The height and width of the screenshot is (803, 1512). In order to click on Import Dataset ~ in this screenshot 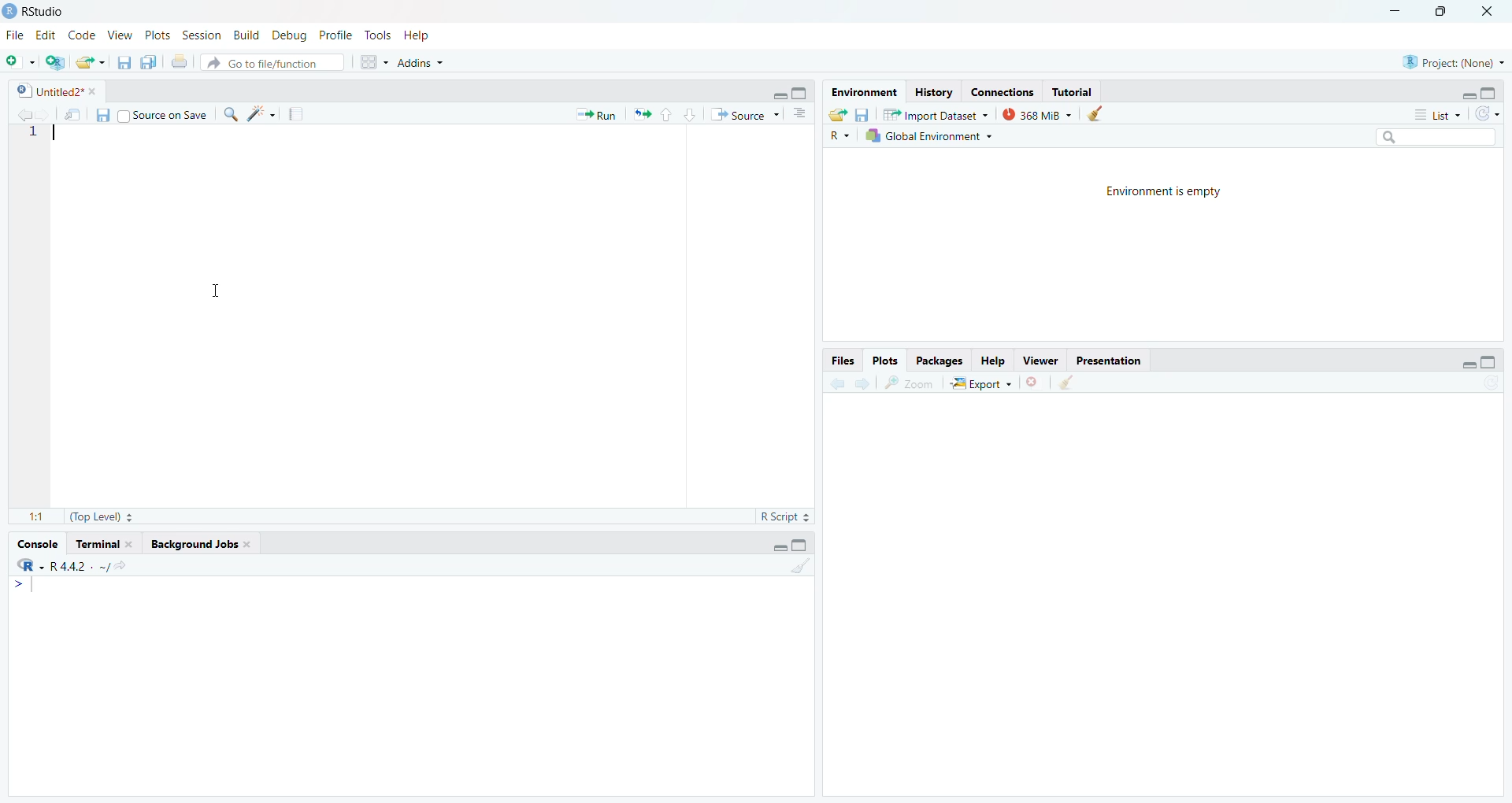, I will do `click(937, 113)`.